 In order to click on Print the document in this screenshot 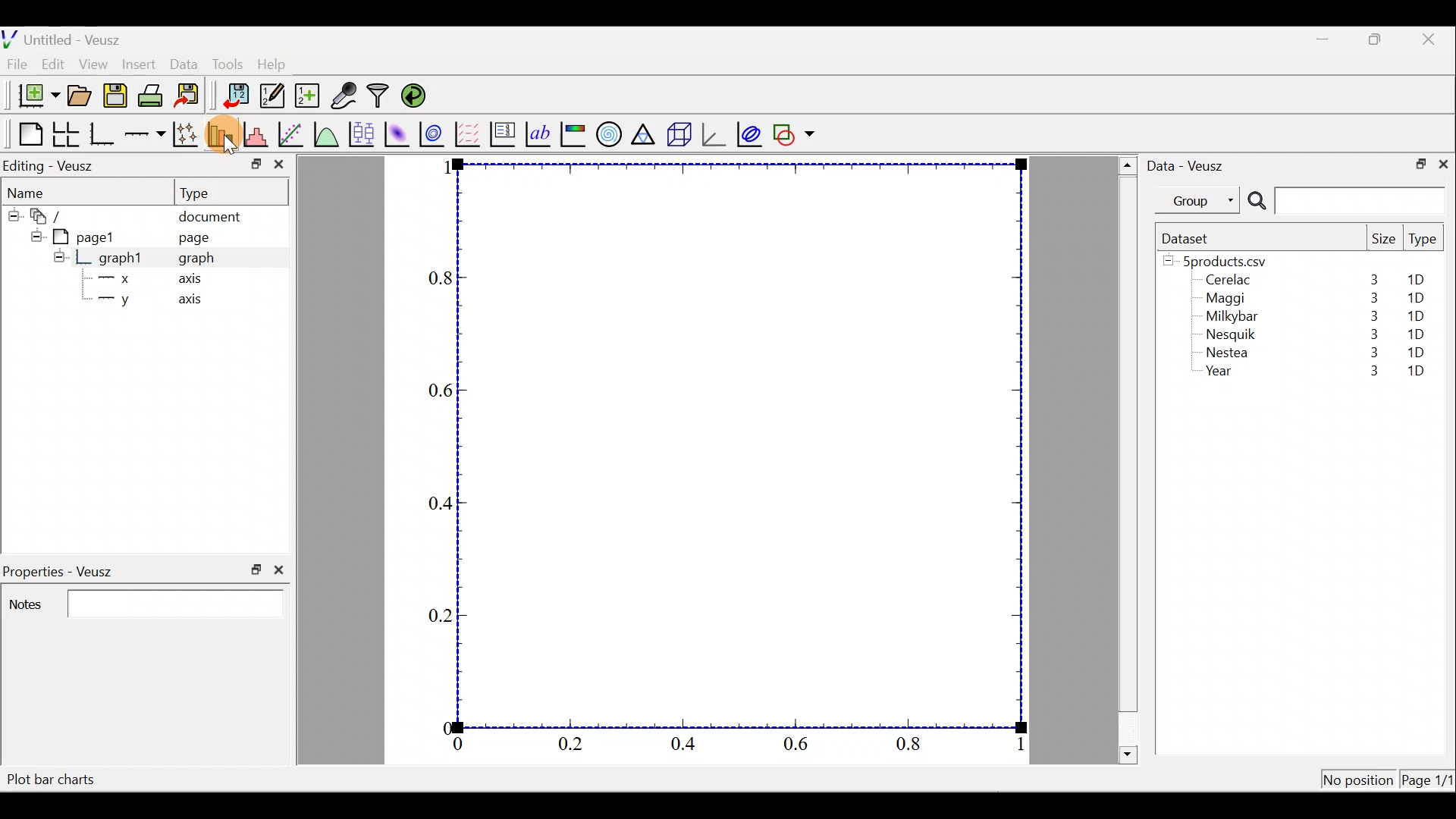, I will do `click(155, 95)`.